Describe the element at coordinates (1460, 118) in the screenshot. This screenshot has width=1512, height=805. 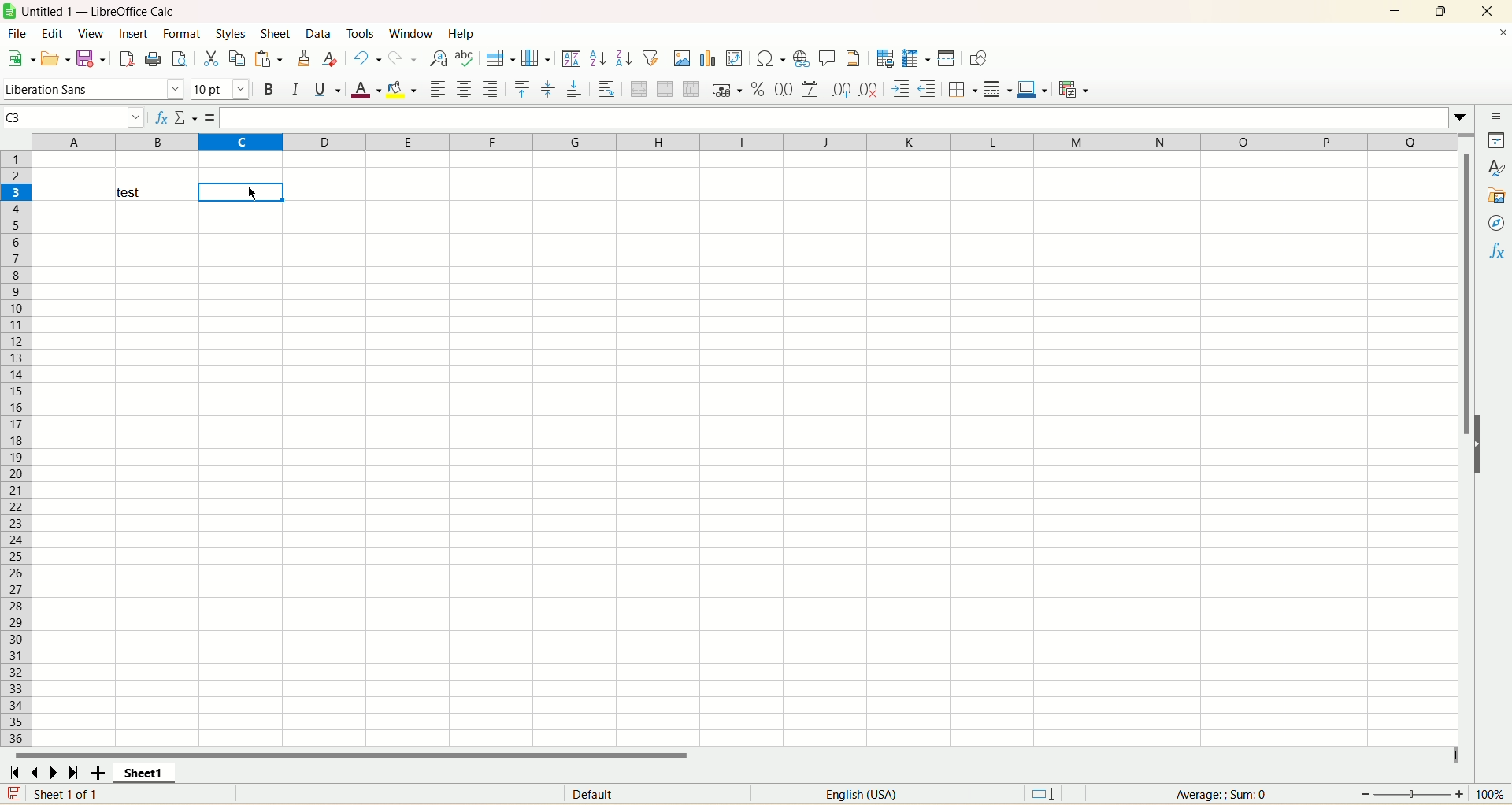
I see `More options` at that location.